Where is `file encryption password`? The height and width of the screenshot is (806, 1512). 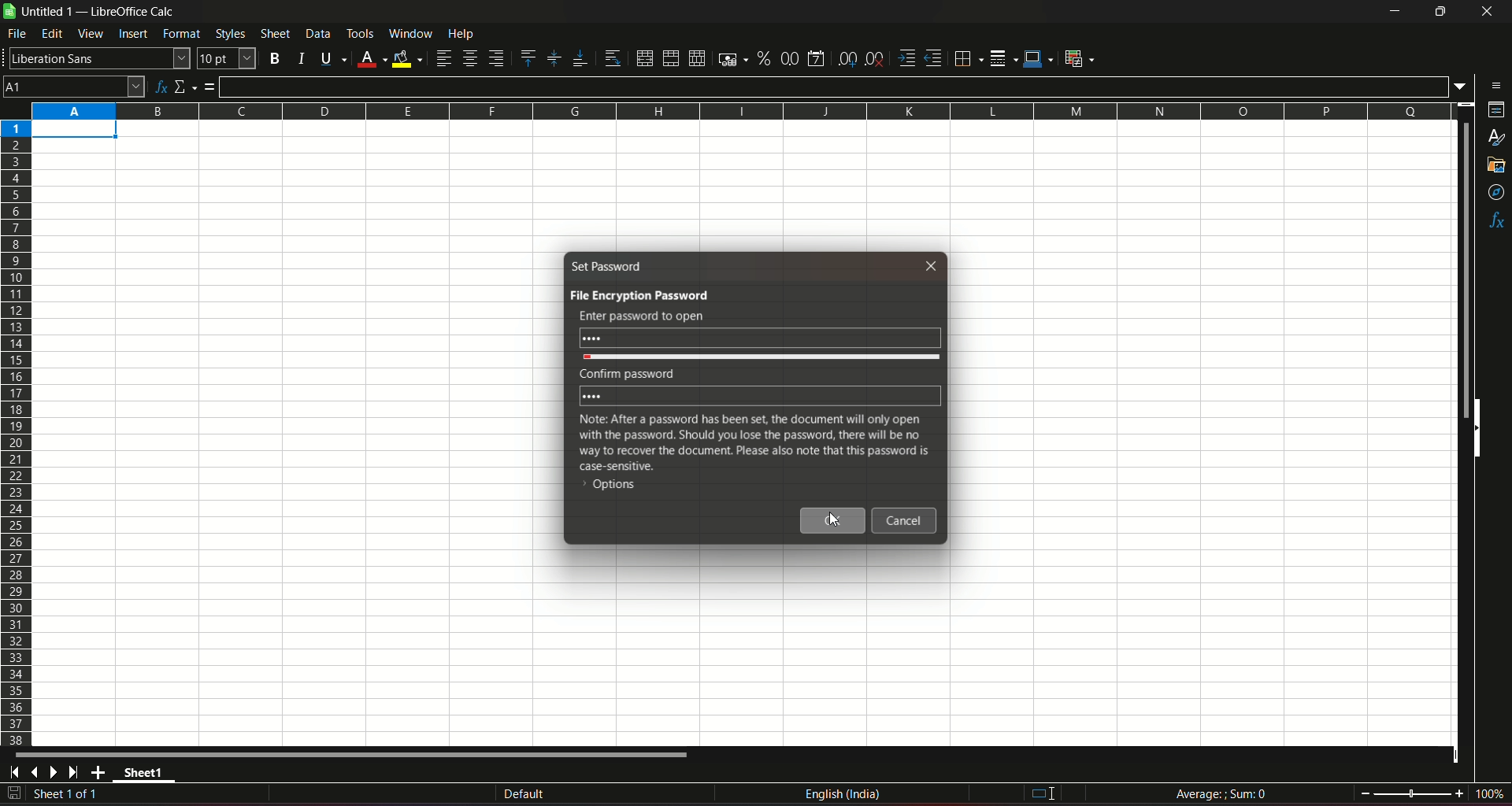 file encryption password is located at coordinates (638, 294).